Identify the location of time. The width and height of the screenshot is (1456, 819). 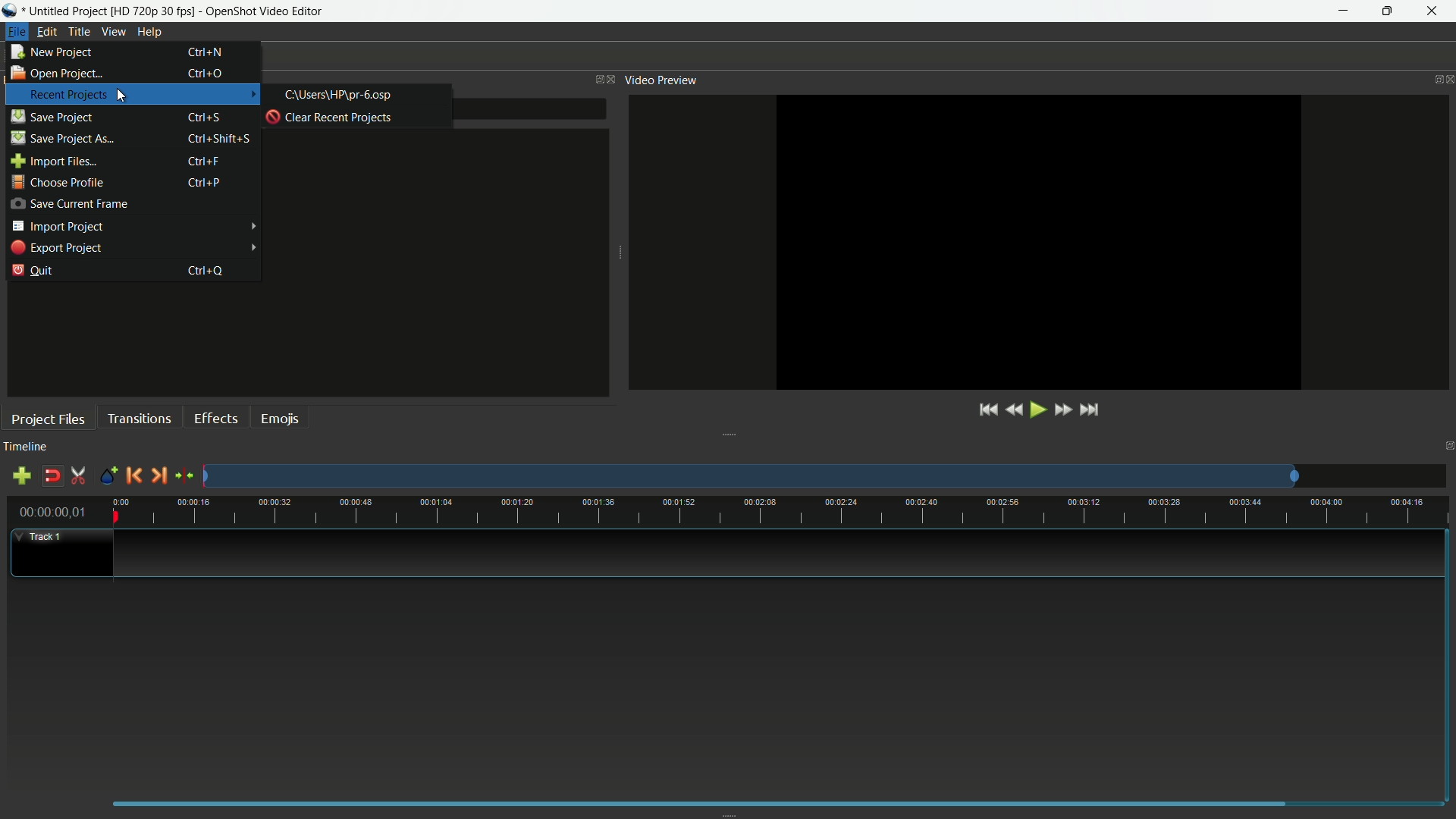
(781, 510).